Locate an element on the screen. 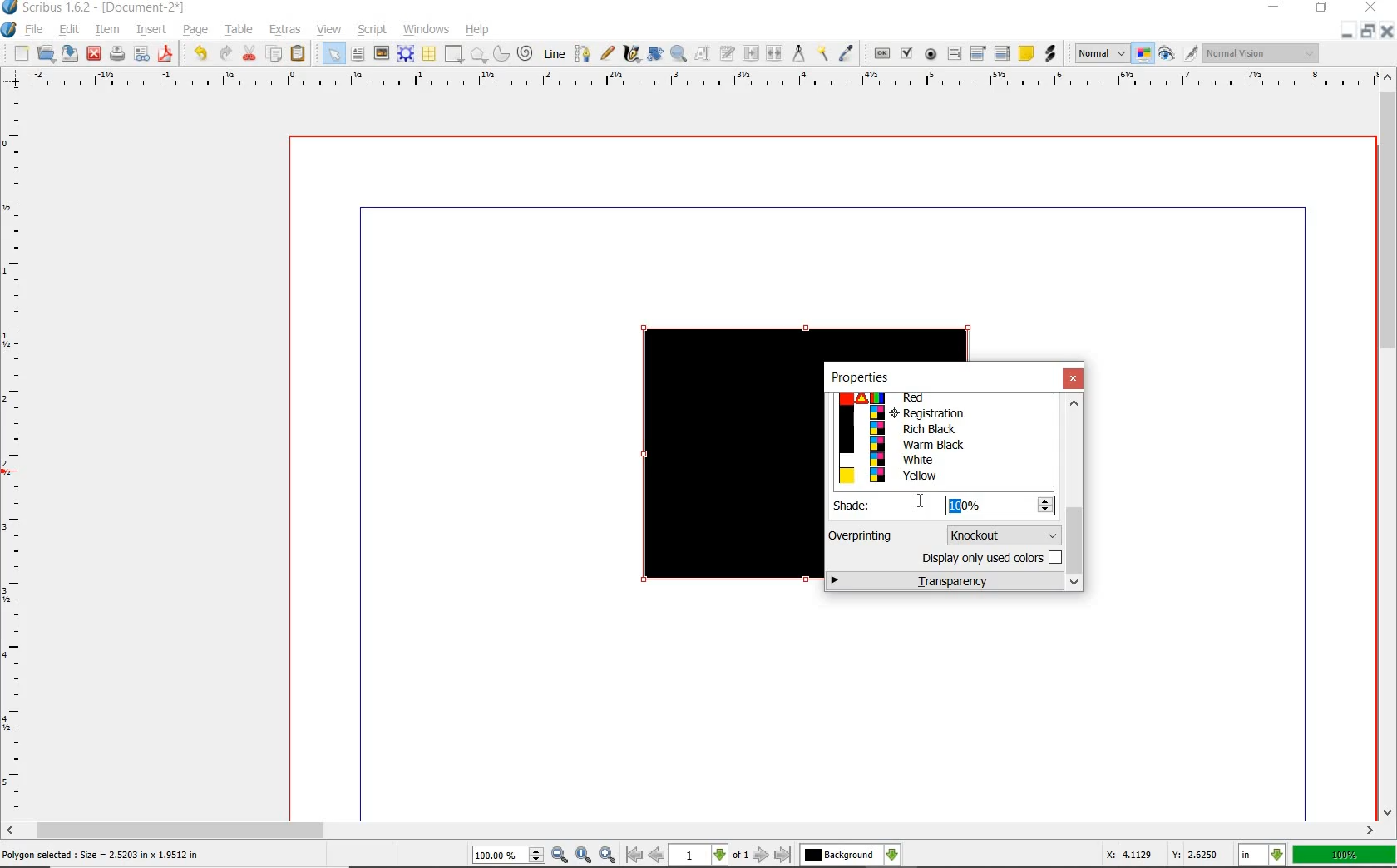 This screenshot has height=868, width=1397. Overprinting is located at coordinates (862, 535).